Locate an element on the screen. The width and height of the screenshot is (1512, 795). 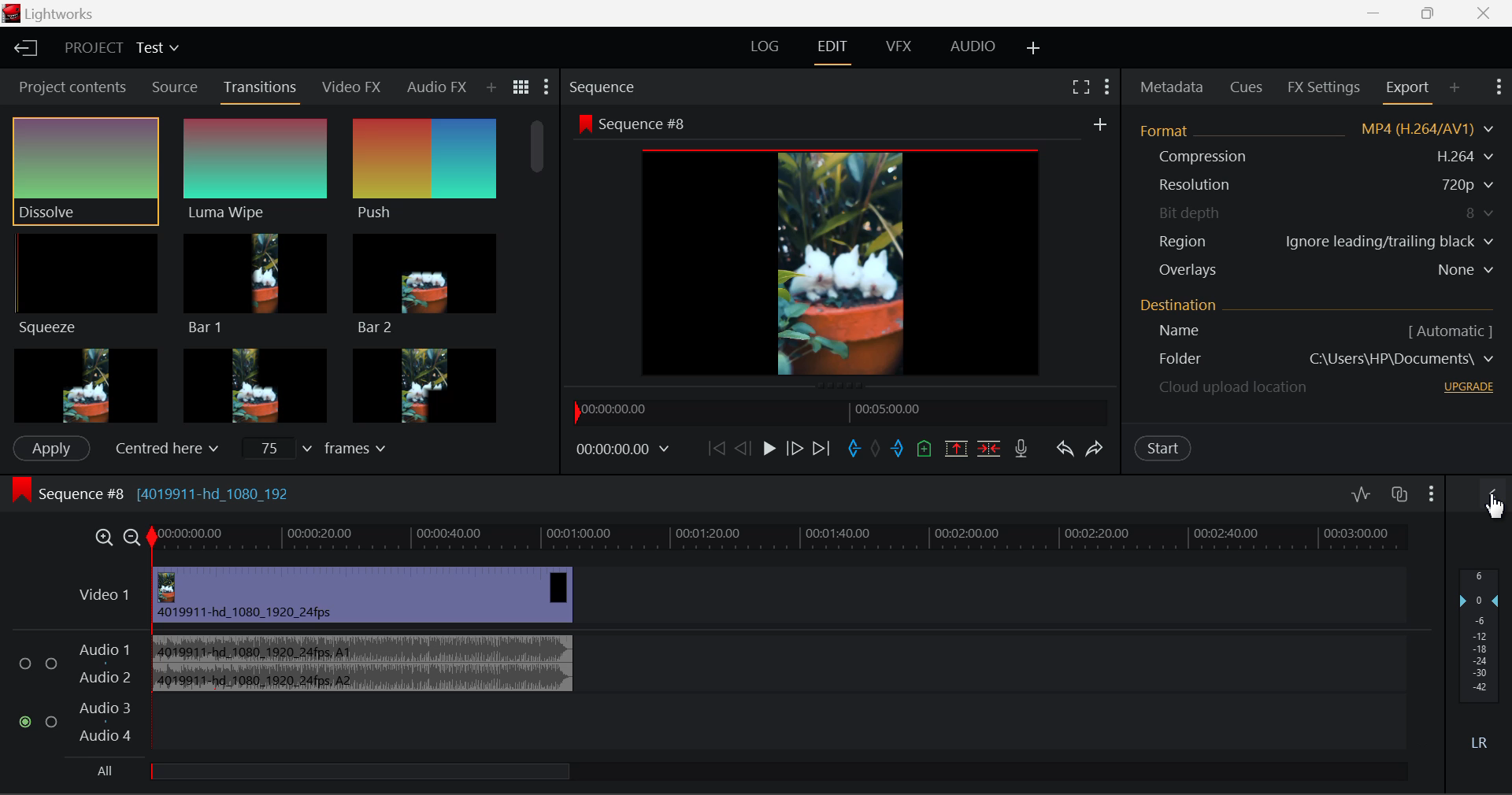
Luma Wipe is located at coordinates (256, 169).